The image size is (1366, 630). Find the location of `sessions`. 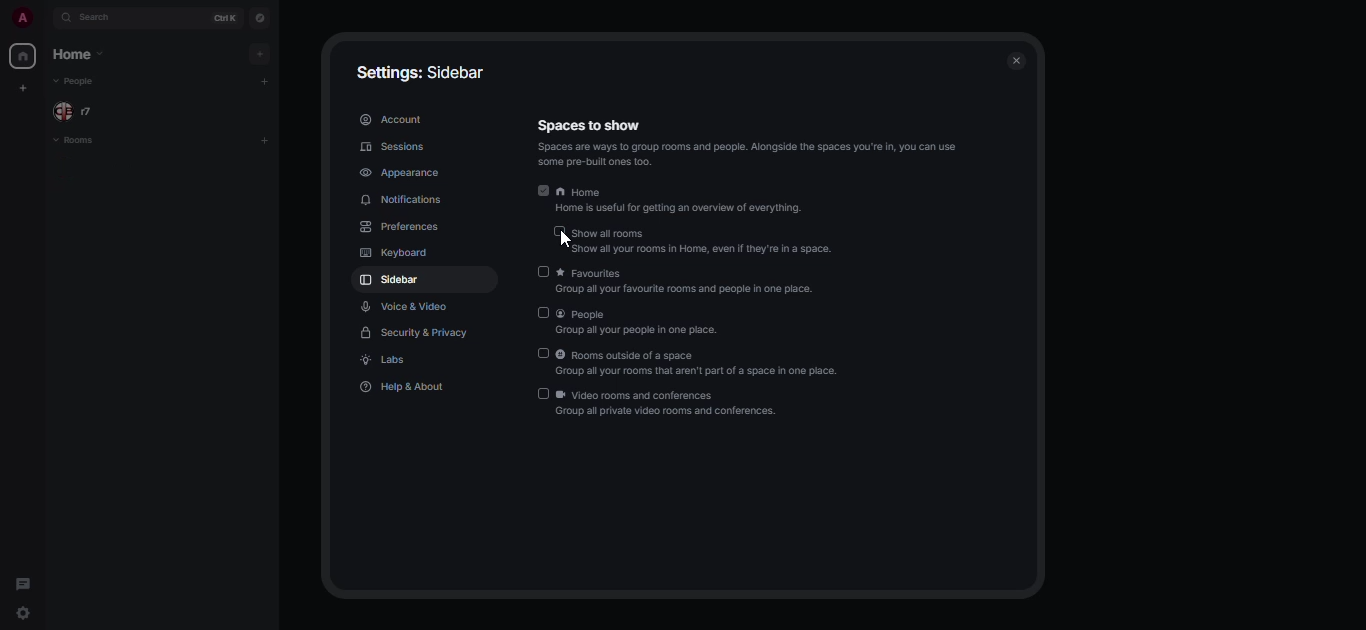

sessions is located at coordinates (390, 146).